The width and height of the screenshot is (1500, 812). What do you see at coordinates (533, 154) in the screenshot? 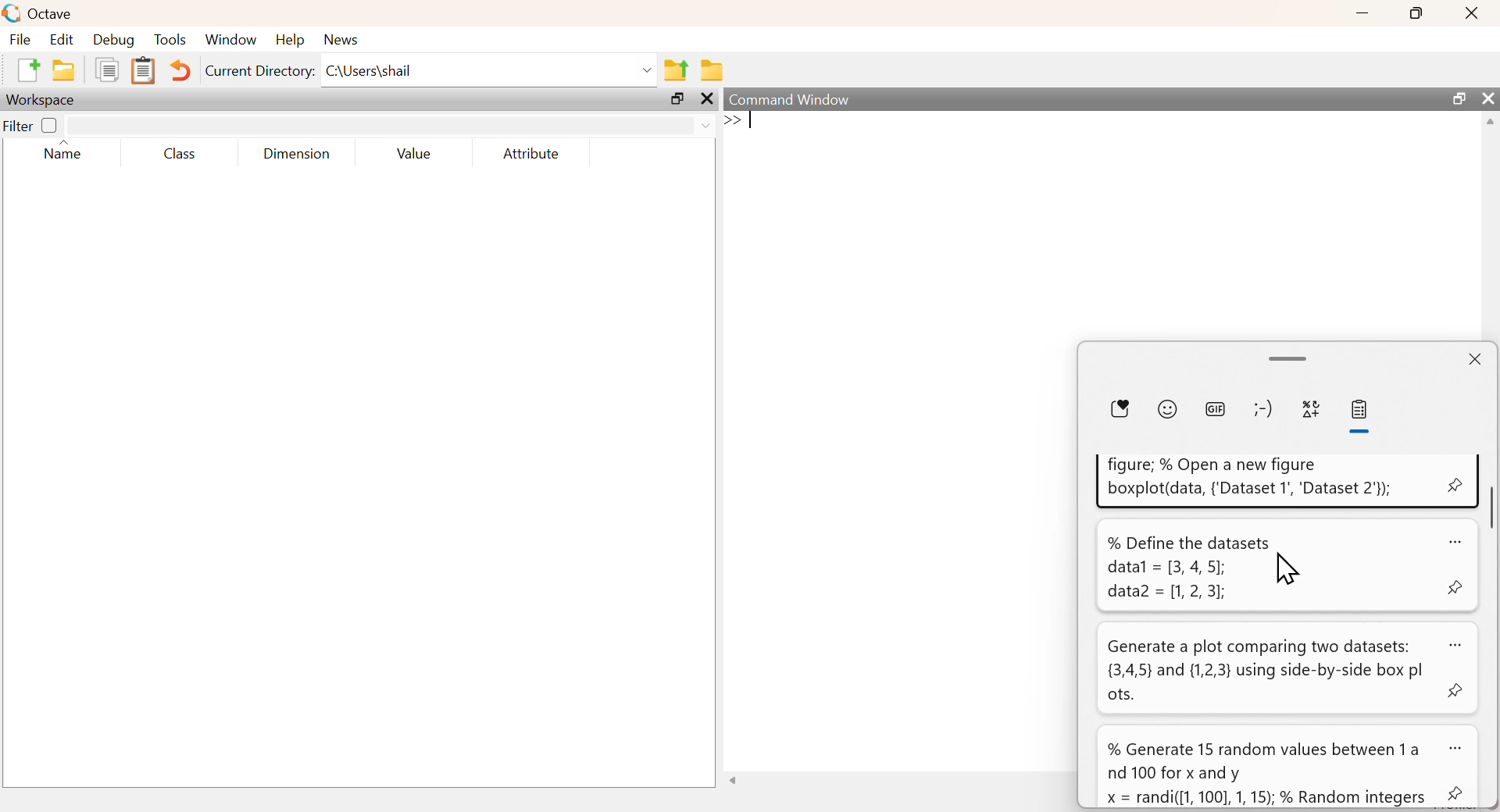
I see `Attribute` at bounding box center [533, 154].